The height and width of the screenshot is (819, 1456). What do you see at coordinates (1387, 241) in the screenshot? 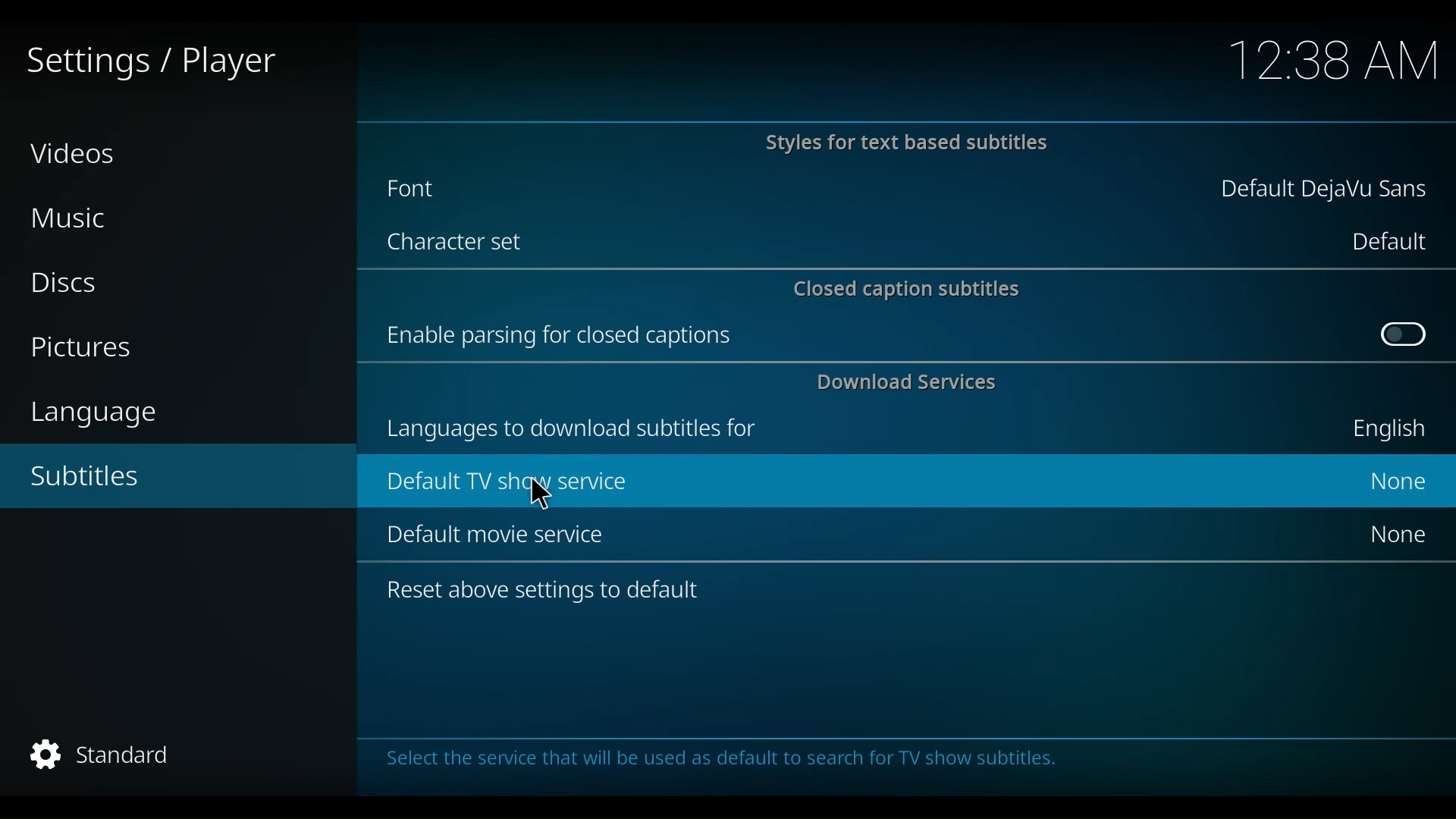
I see `Default` at bounding box center [1387, 241].